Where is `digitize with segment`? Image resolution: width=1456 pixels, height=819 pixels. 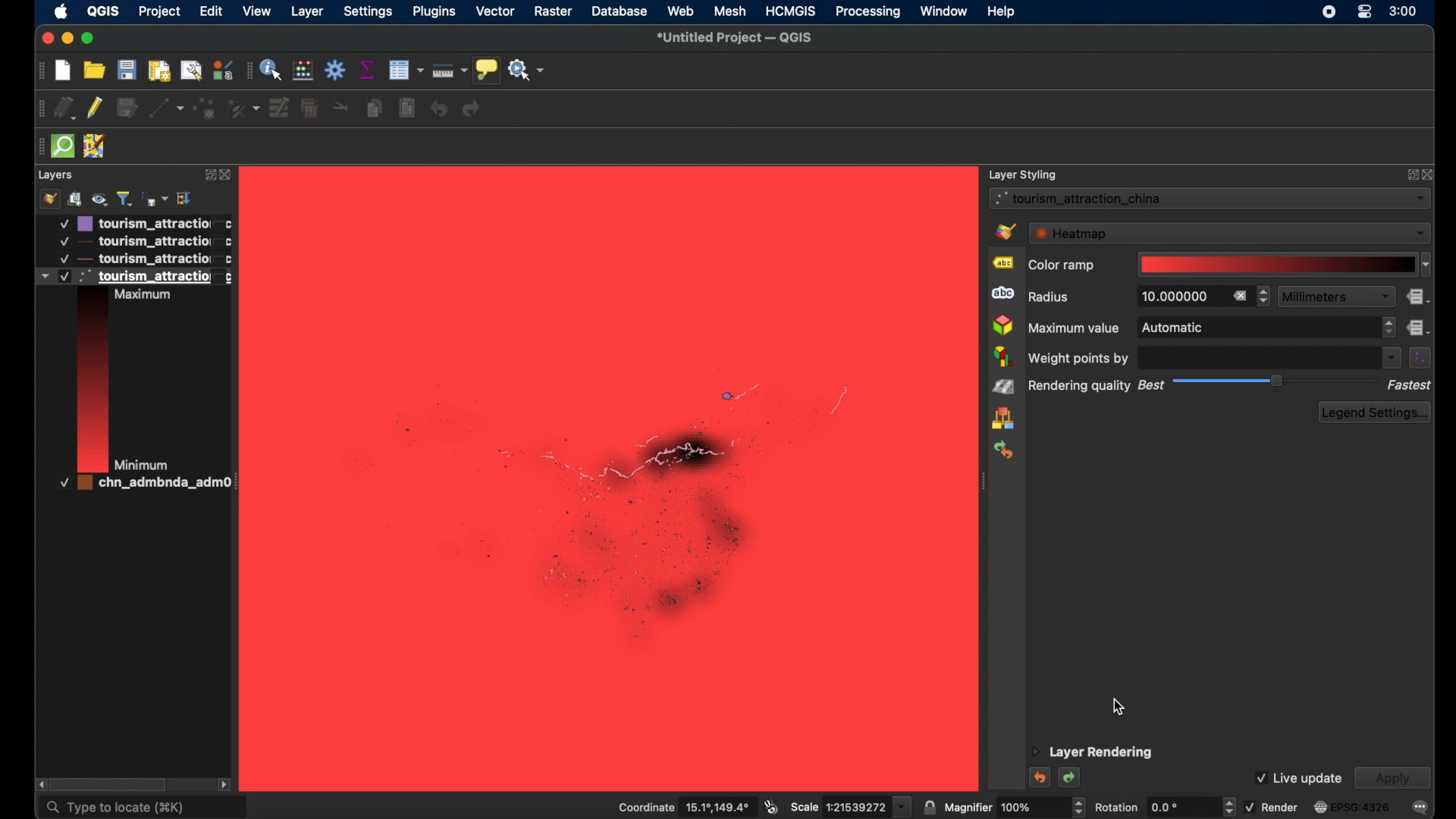
digitize with segment is located at coordinates (168, 108).